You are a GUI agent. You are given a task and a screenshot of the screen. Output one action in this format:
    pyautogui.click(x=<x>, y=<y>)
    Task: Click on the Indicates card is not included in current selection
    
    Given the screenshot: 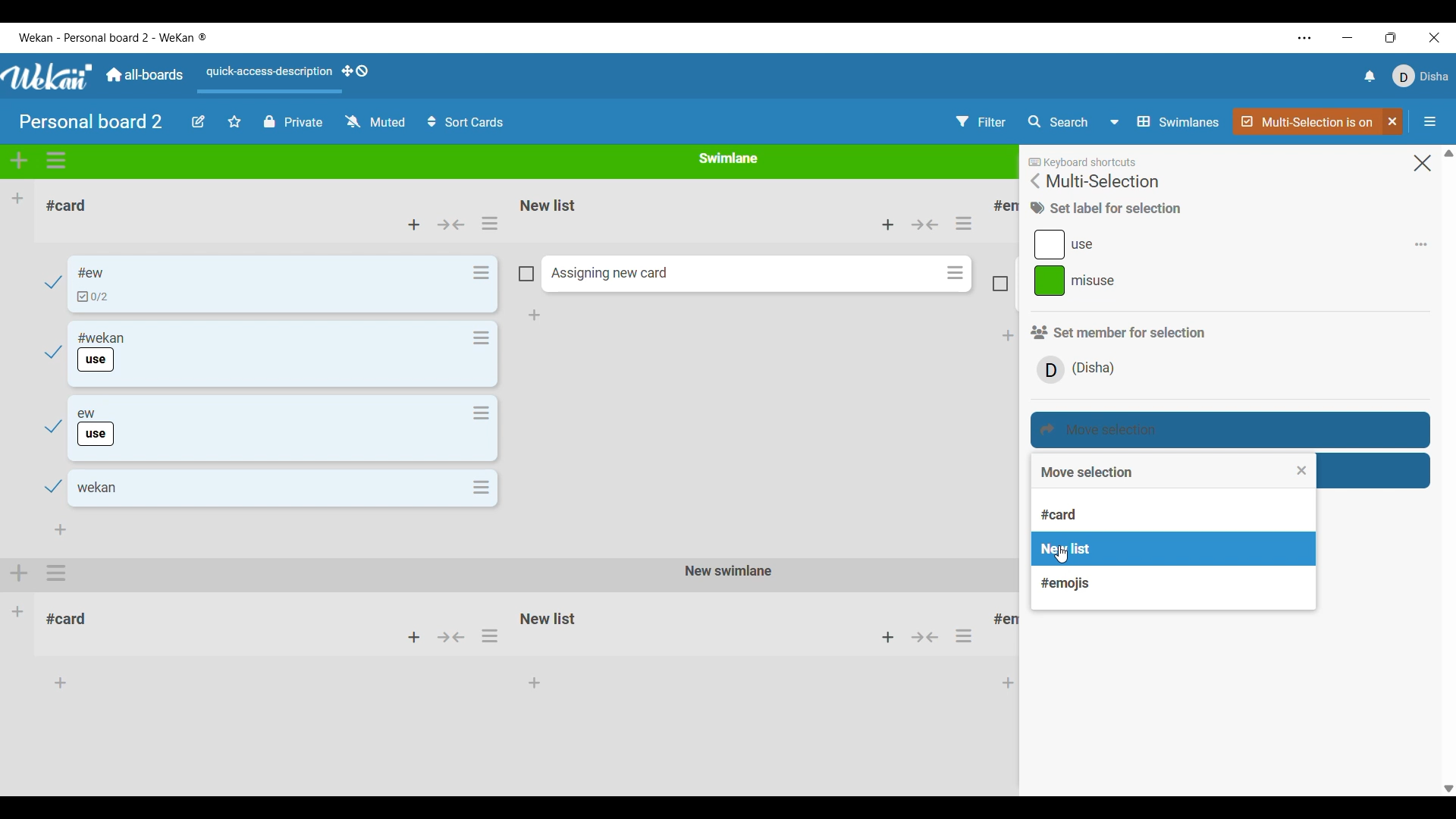 What is the action you would take?
    pyautogui.click(x=1001, y=283)
    